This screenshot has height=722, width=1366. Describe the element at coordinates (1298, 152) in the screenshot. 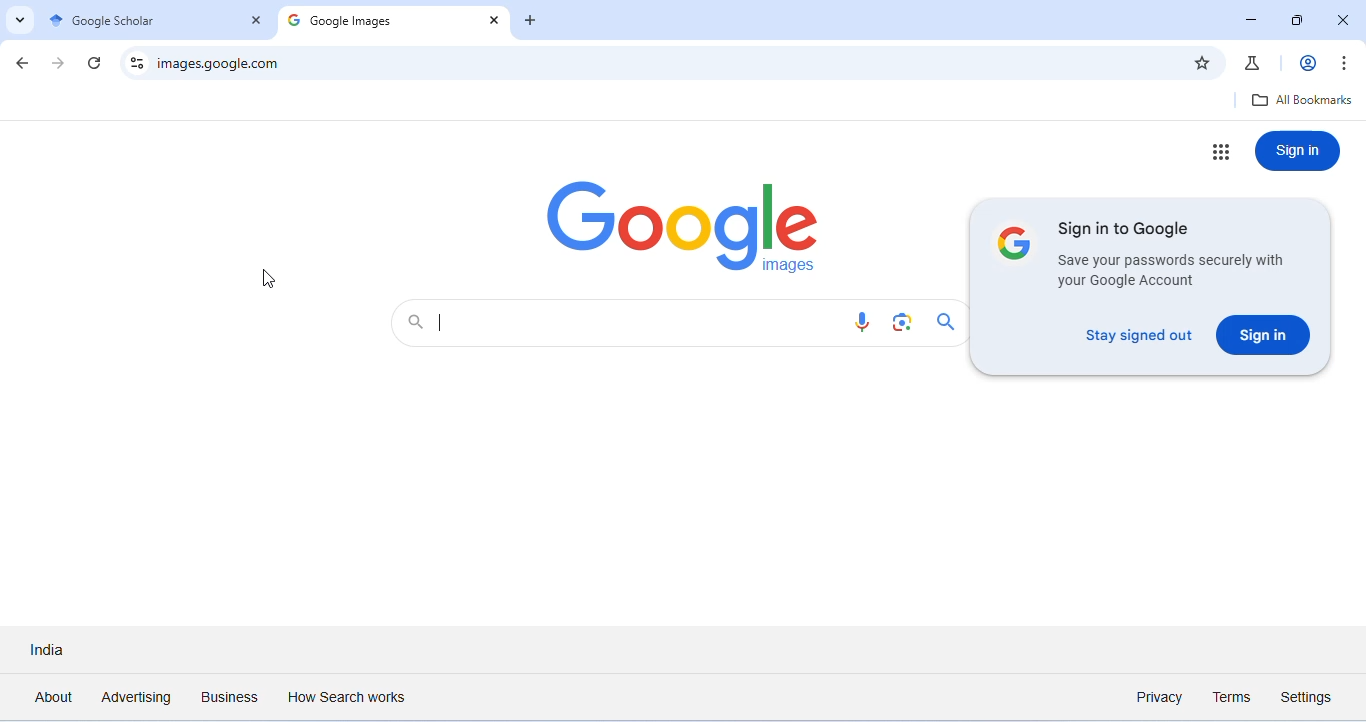

I see `sign in` at that location.